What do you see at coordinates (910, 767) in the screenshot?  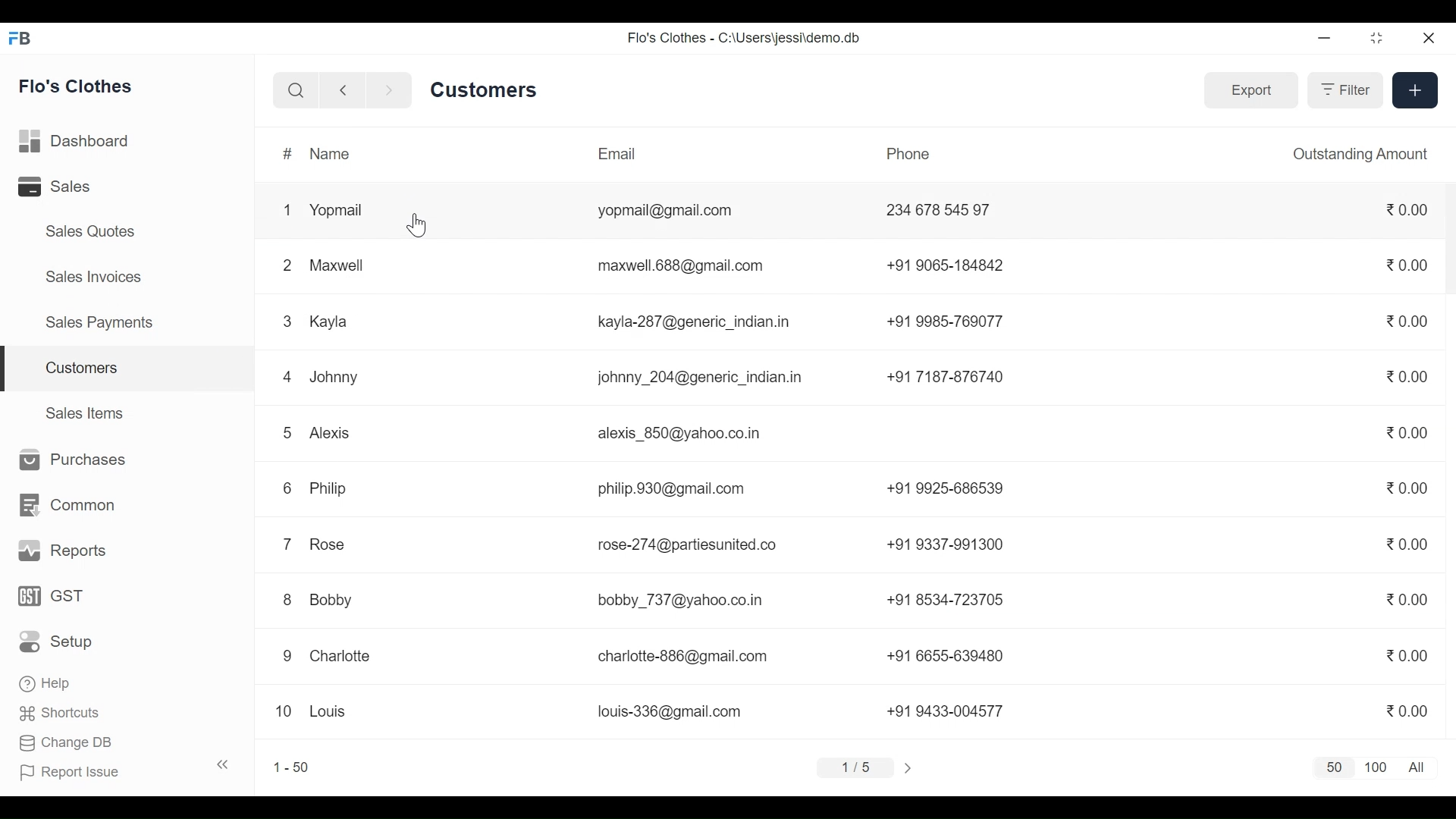 I see `>` at bounding box center [910, 767].